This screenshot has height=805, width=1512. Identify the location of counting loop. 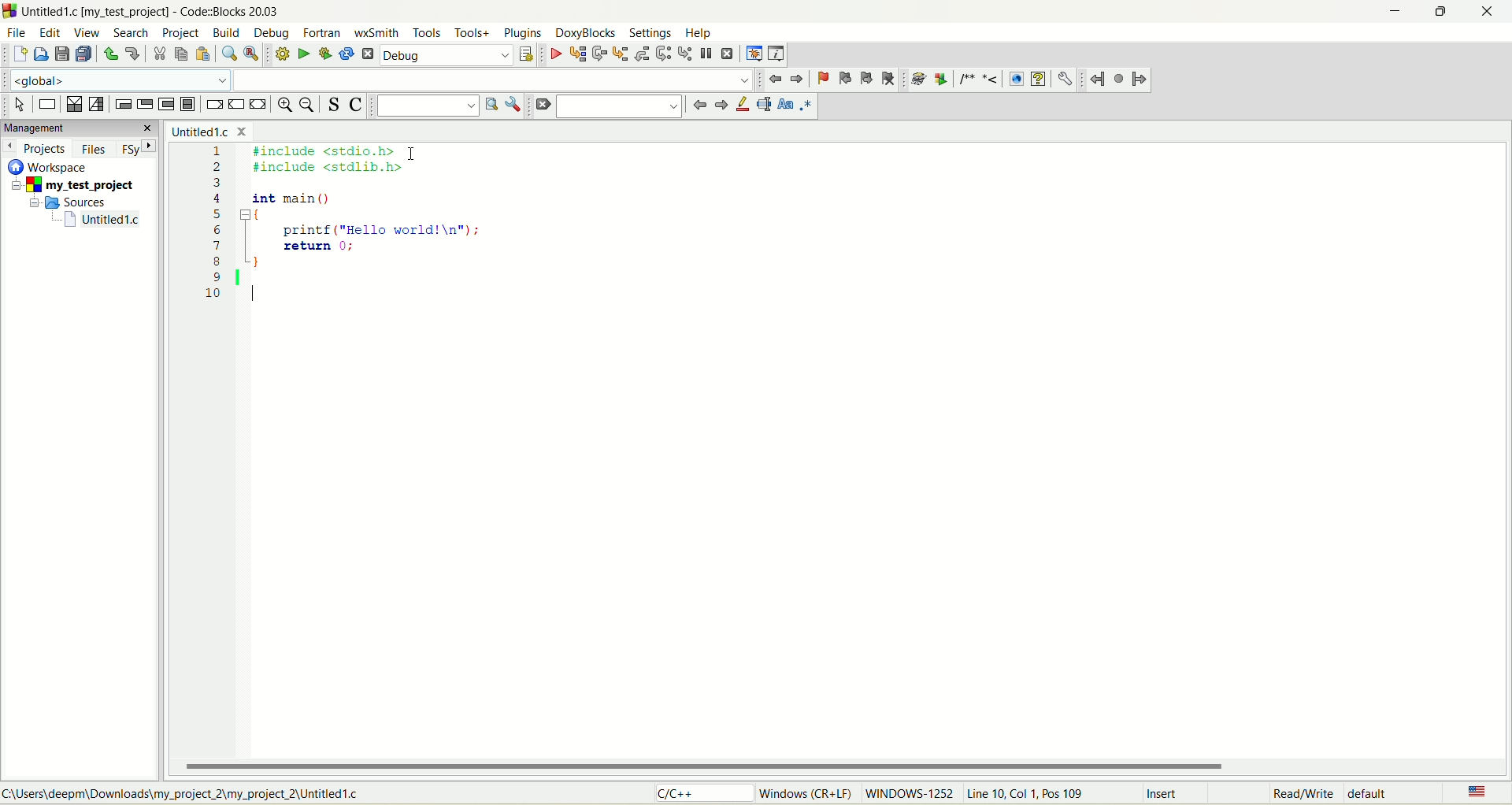
(165, 103).